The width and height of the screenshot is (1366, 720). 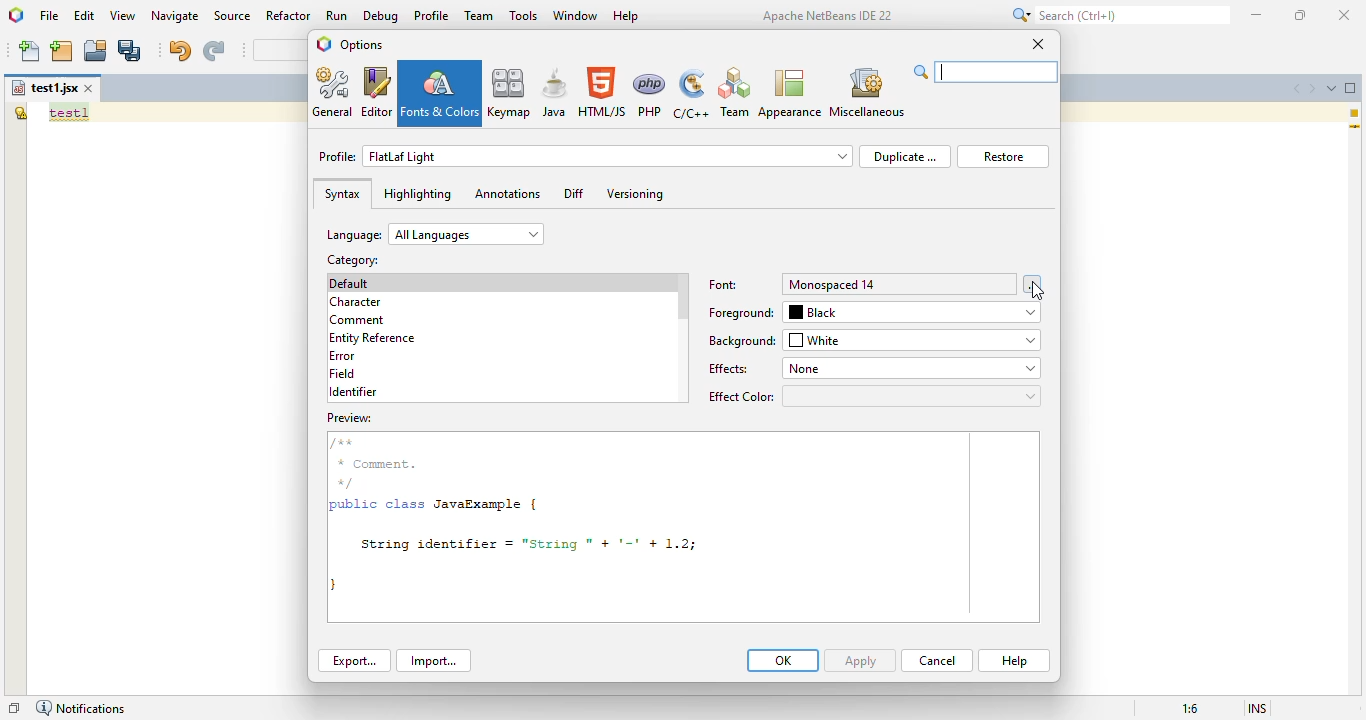 I want to click on effects, so click(x=728, y=368).